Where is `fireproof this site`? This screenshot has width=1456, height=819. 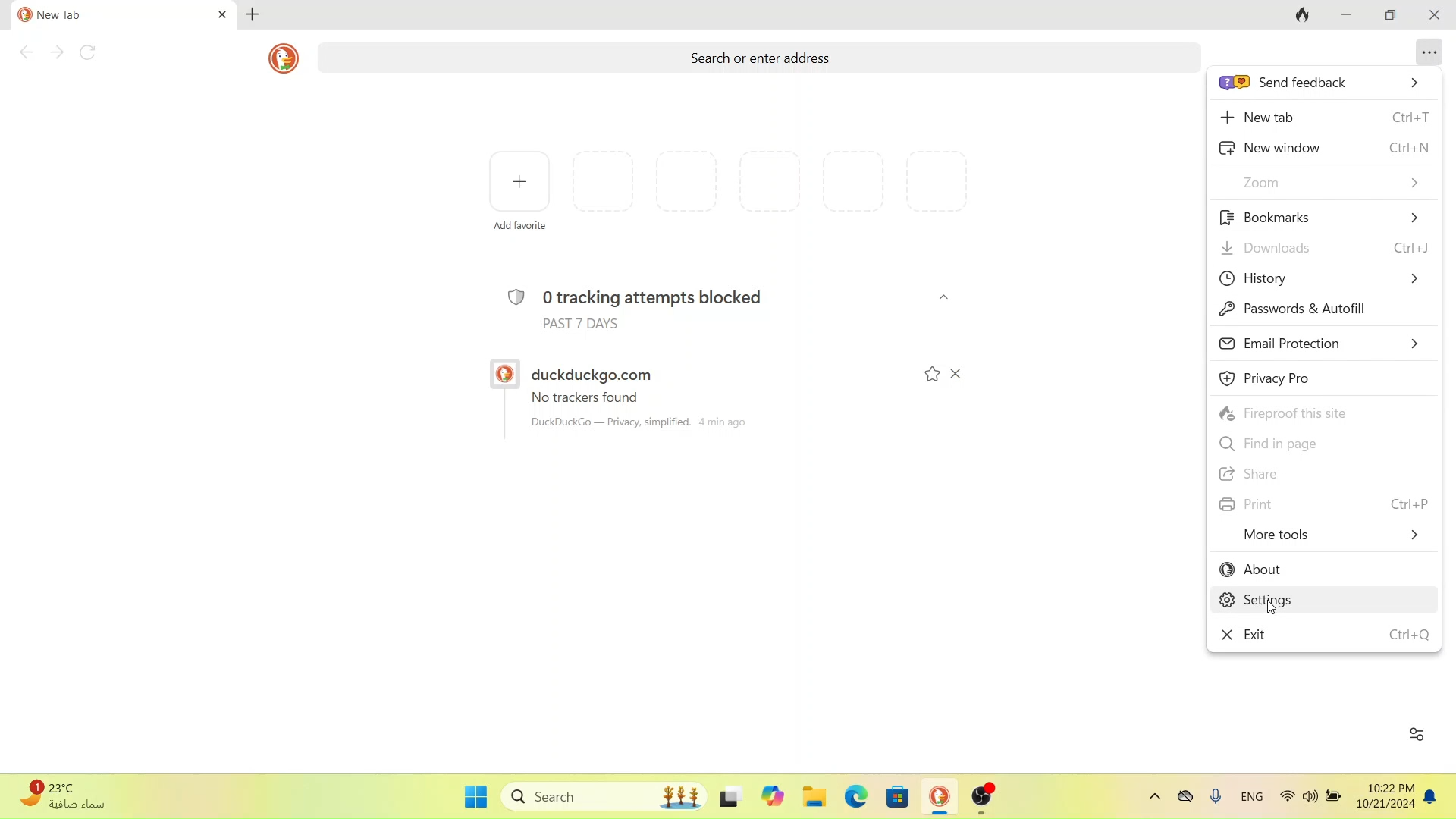 fireproof this site is located at coordinates (1314, 412).